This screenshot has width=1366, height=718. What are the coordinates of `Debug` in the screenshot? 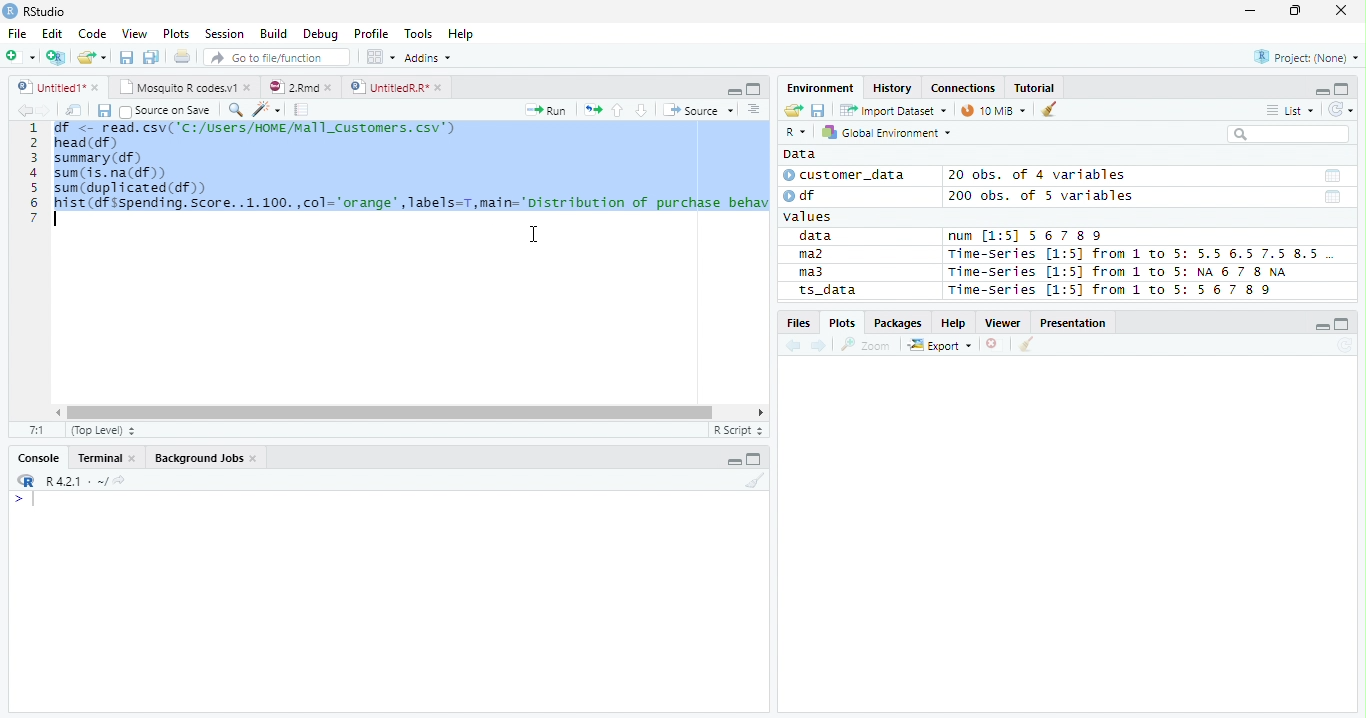 It's located at (321, 35).